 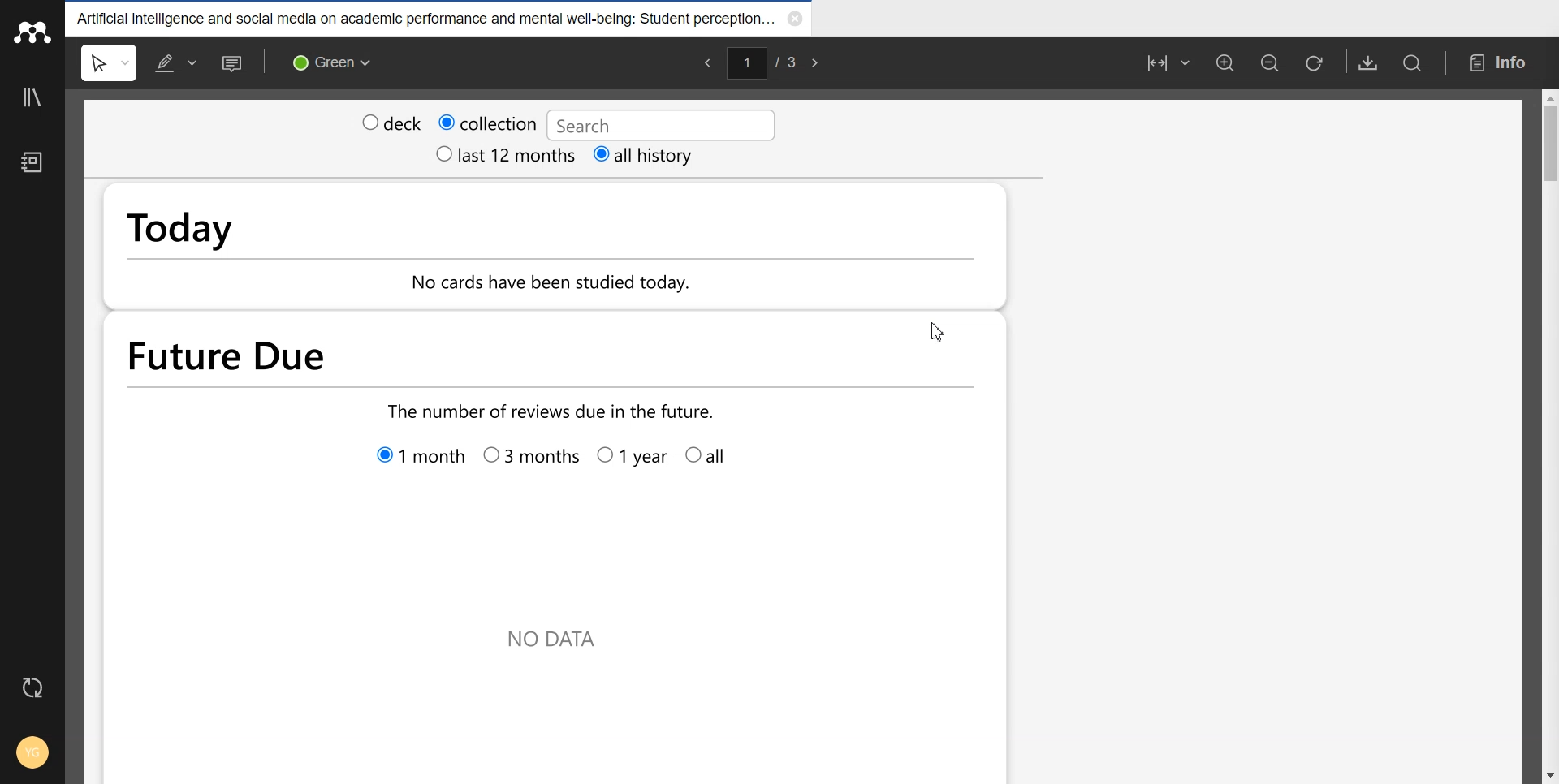 I want to click on Account, so click(x=31, y=752).